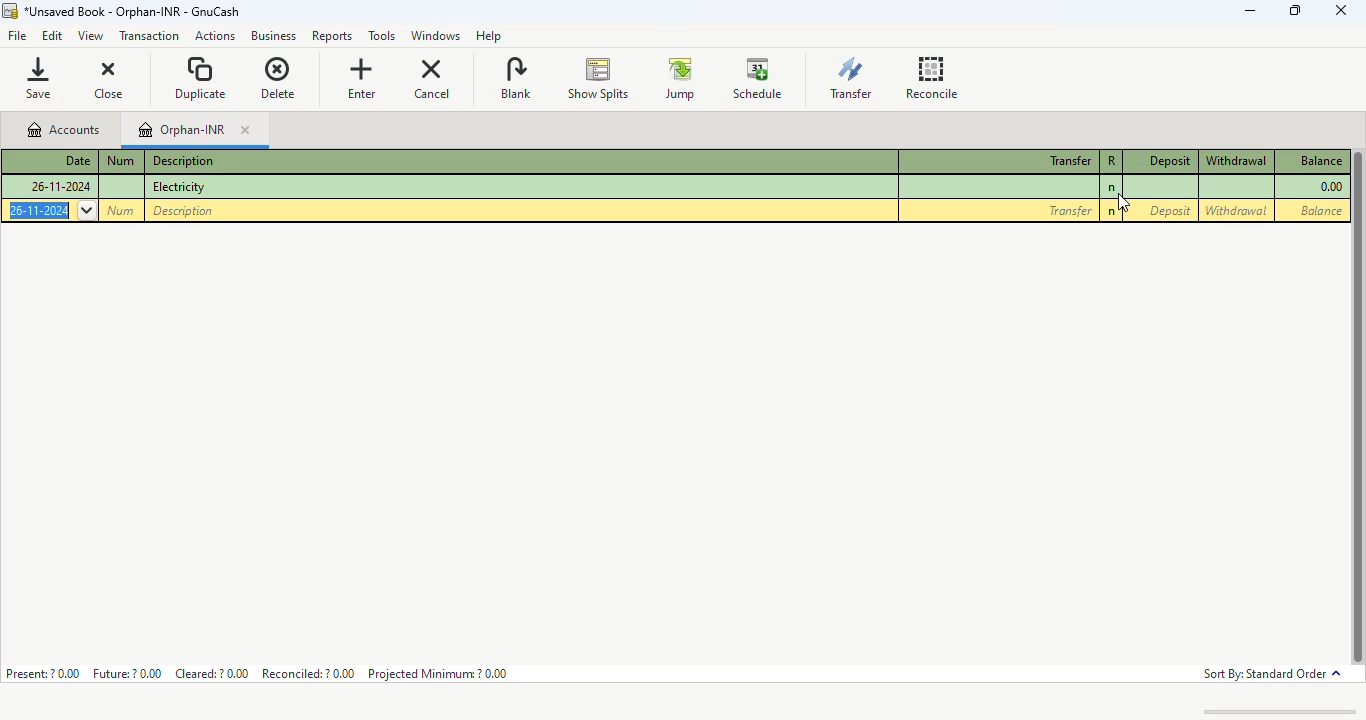 The image size is (1366, 720). What do you see at coordinates (60, 186) in the screenshot?
I see `26-11-2024` at bounding box center [60, 186].